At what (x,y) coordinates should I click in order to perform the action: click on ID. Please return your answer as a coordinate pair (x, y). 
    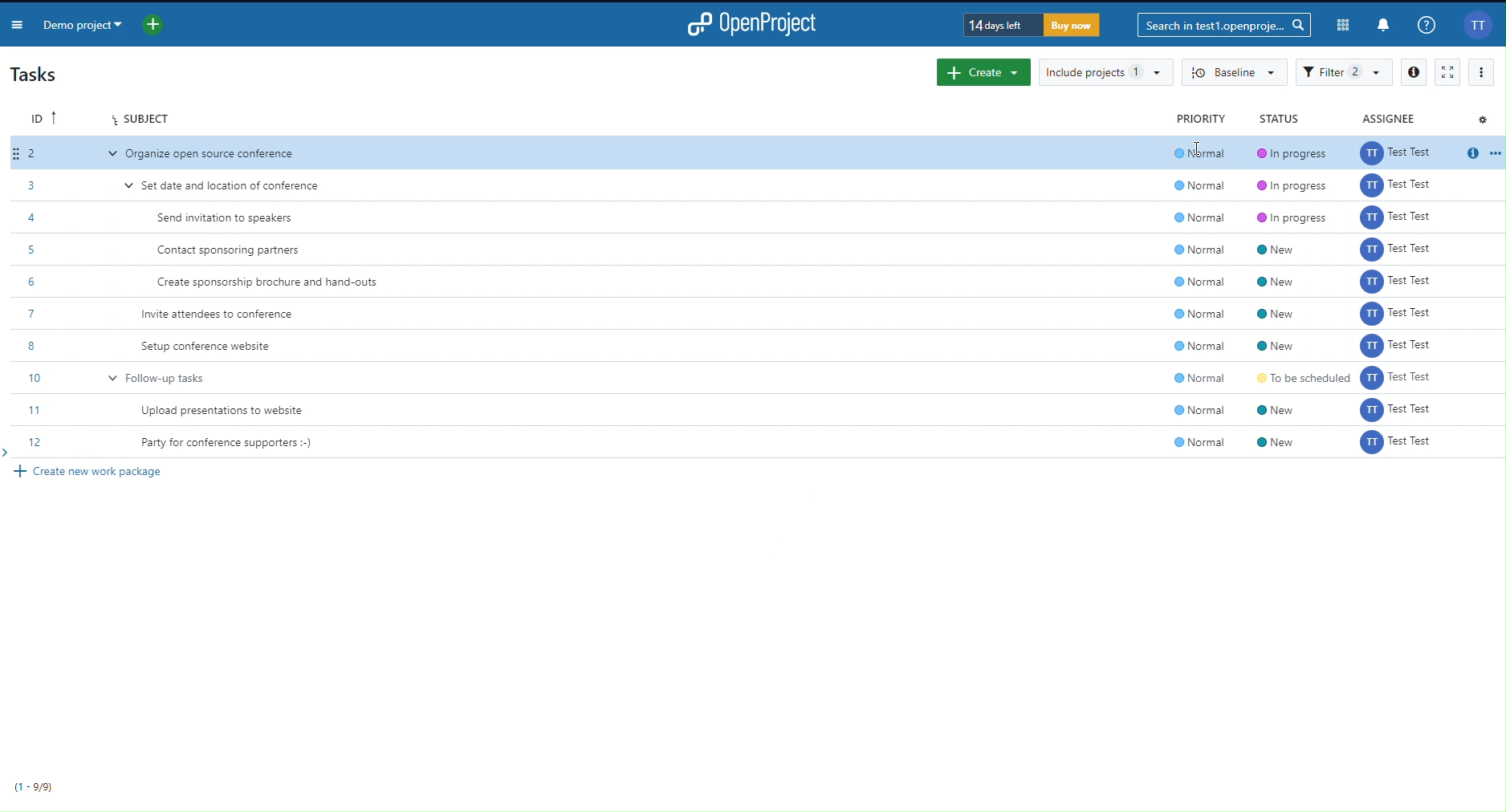
    Looking at the image, I should click on (43, 116).